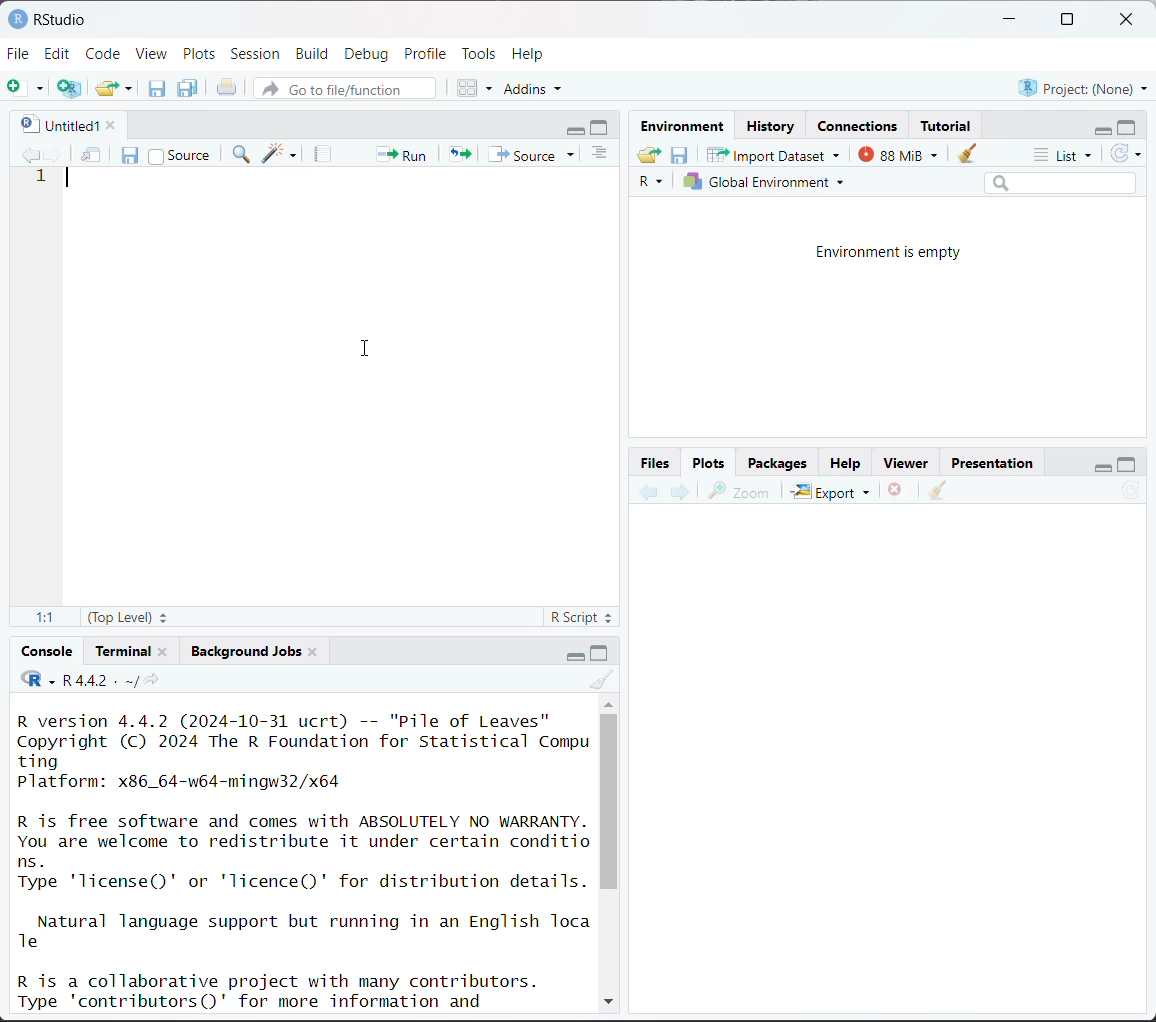 The height and width of the screenshot is (1022, 1156). What do you see at coordinates (890, 253) in the screenshot?
I see `Environment is empty` at bounding box center [890, 253].